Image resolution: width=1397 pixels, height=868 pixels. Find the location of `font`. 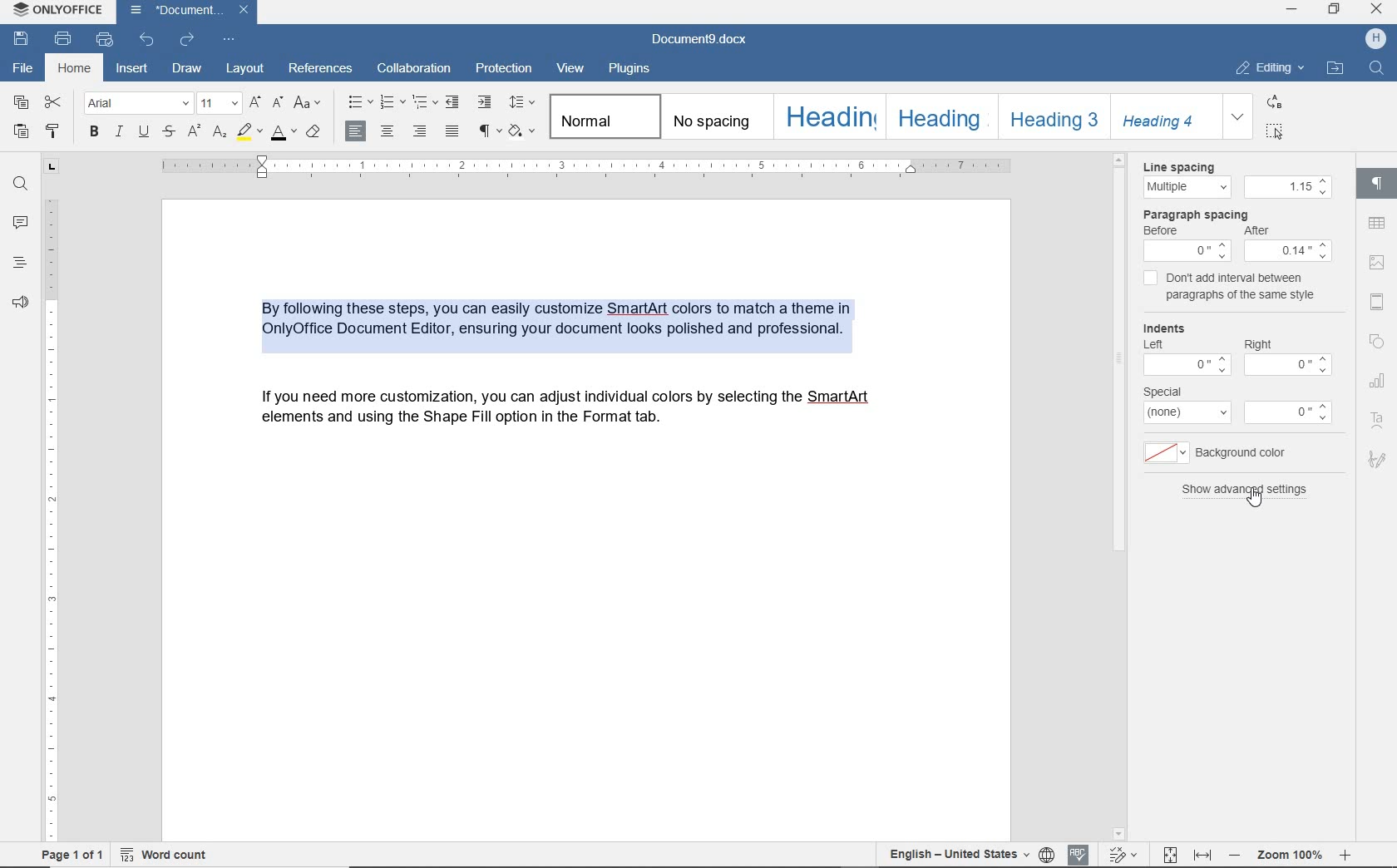

font is located at coordinates (137, 102).